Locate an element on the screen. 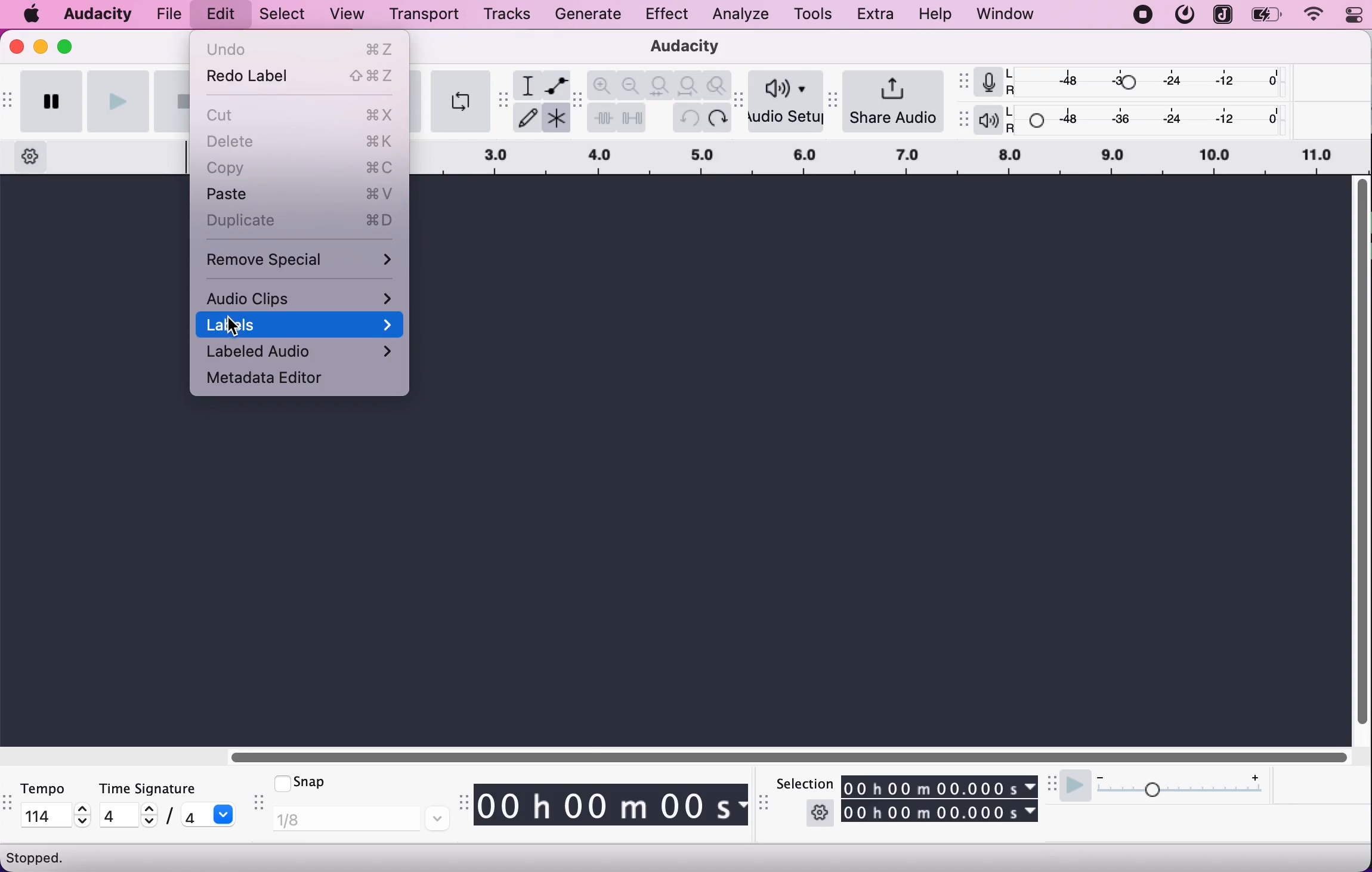 This screenshot has width=1372, height=872. undo is located at coordinates (690, 117).